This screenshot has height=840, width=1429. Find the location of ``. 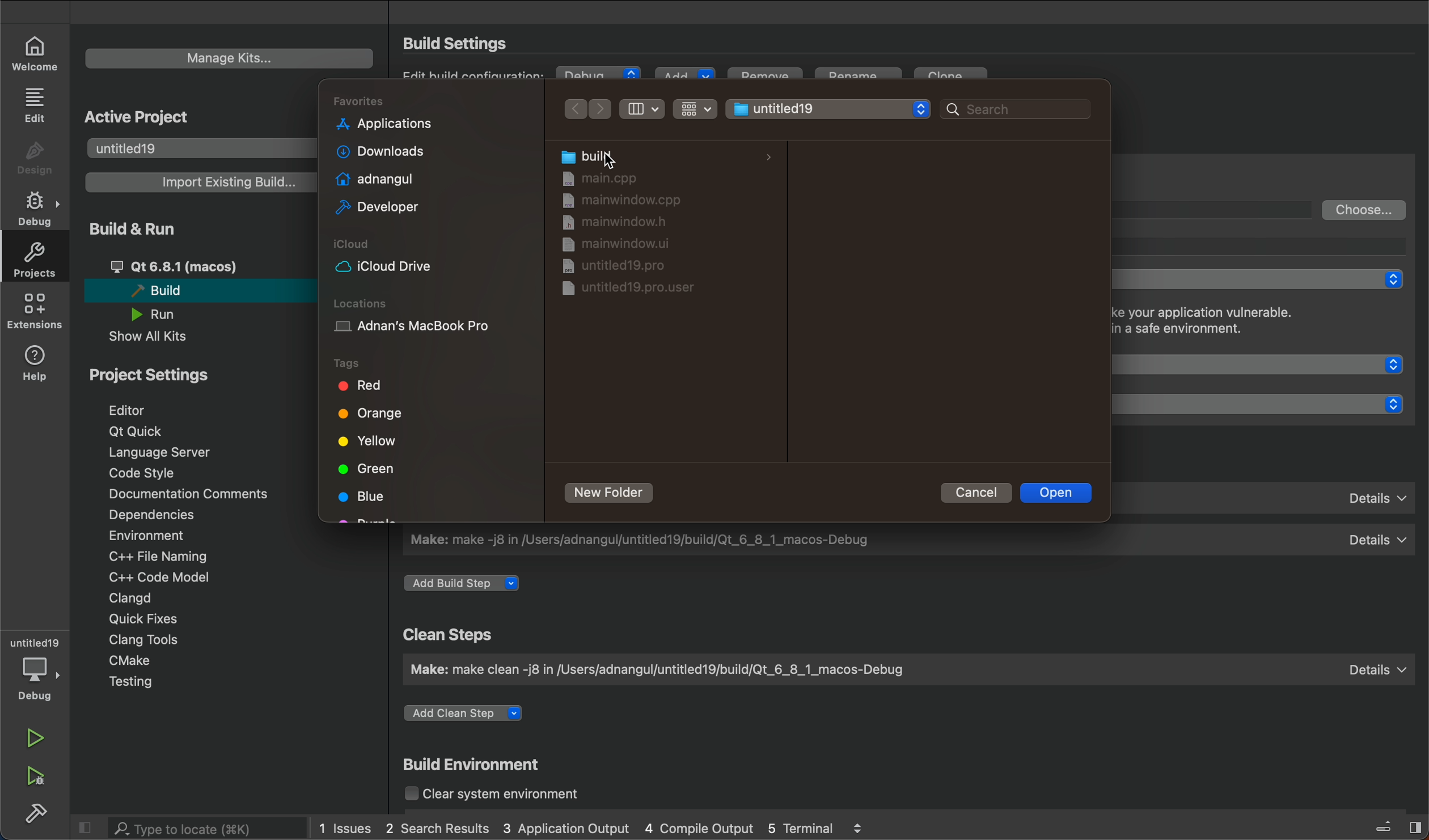

 is located at coordinates (694, 108).